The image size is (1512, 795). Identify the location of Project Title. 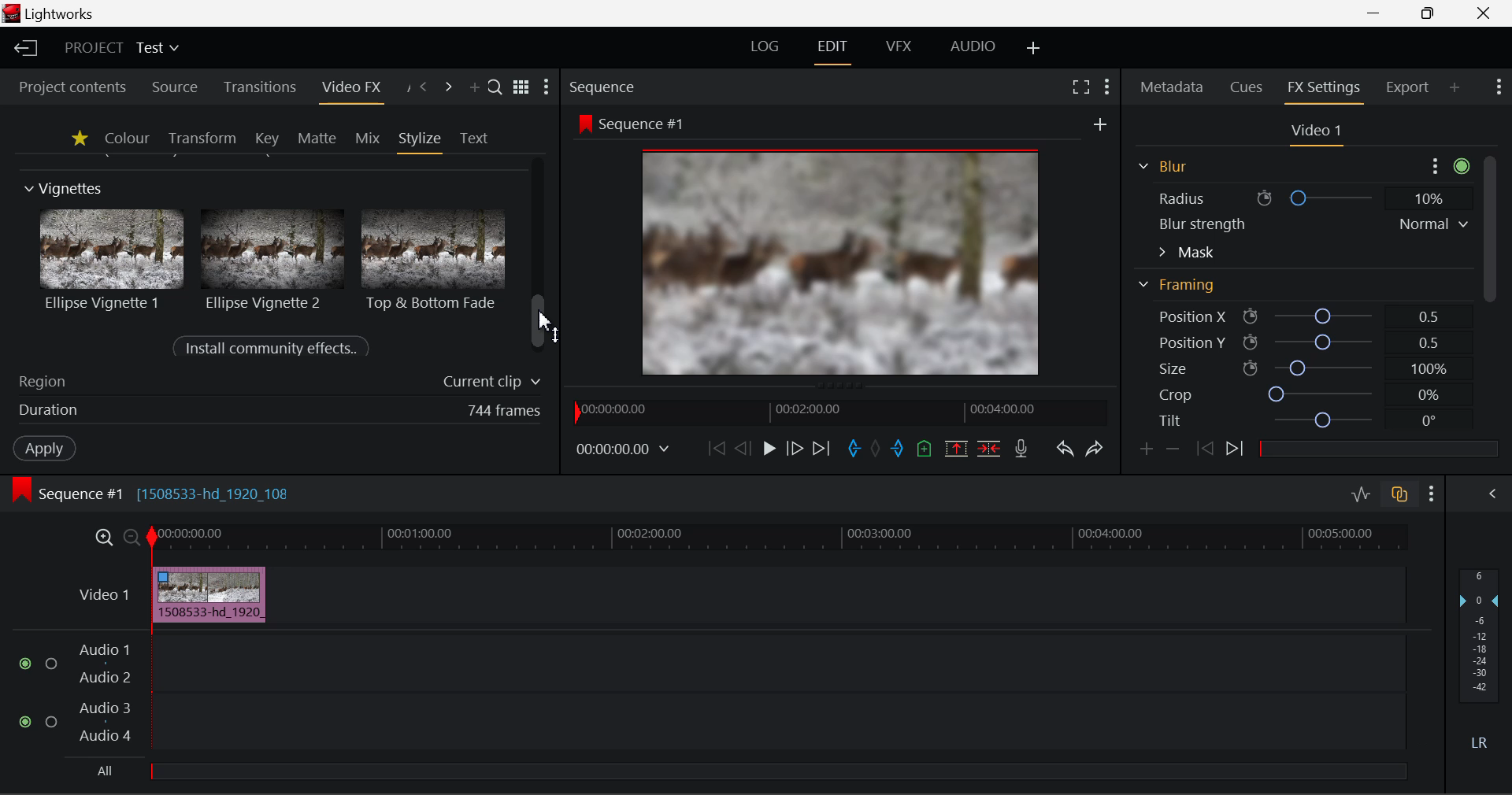
(120, 50).